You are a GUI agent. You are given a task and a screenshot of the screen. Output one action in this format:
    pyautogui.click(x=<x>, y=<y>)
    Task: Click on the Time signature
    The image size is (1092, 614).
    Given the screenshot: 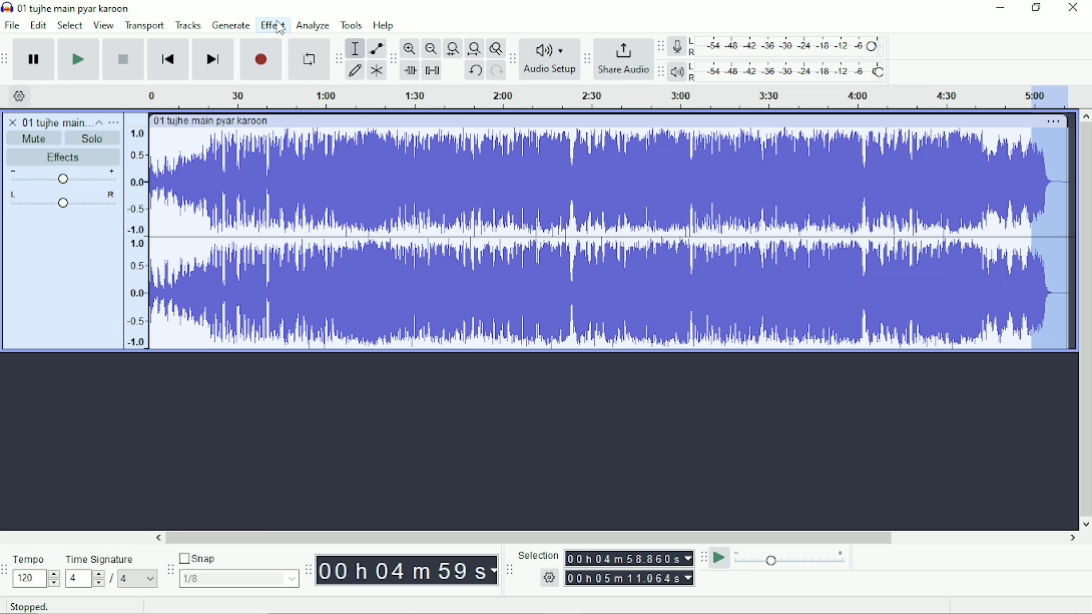 What is the action you would take?
    pyautogui.click(x=111, y=559)
    